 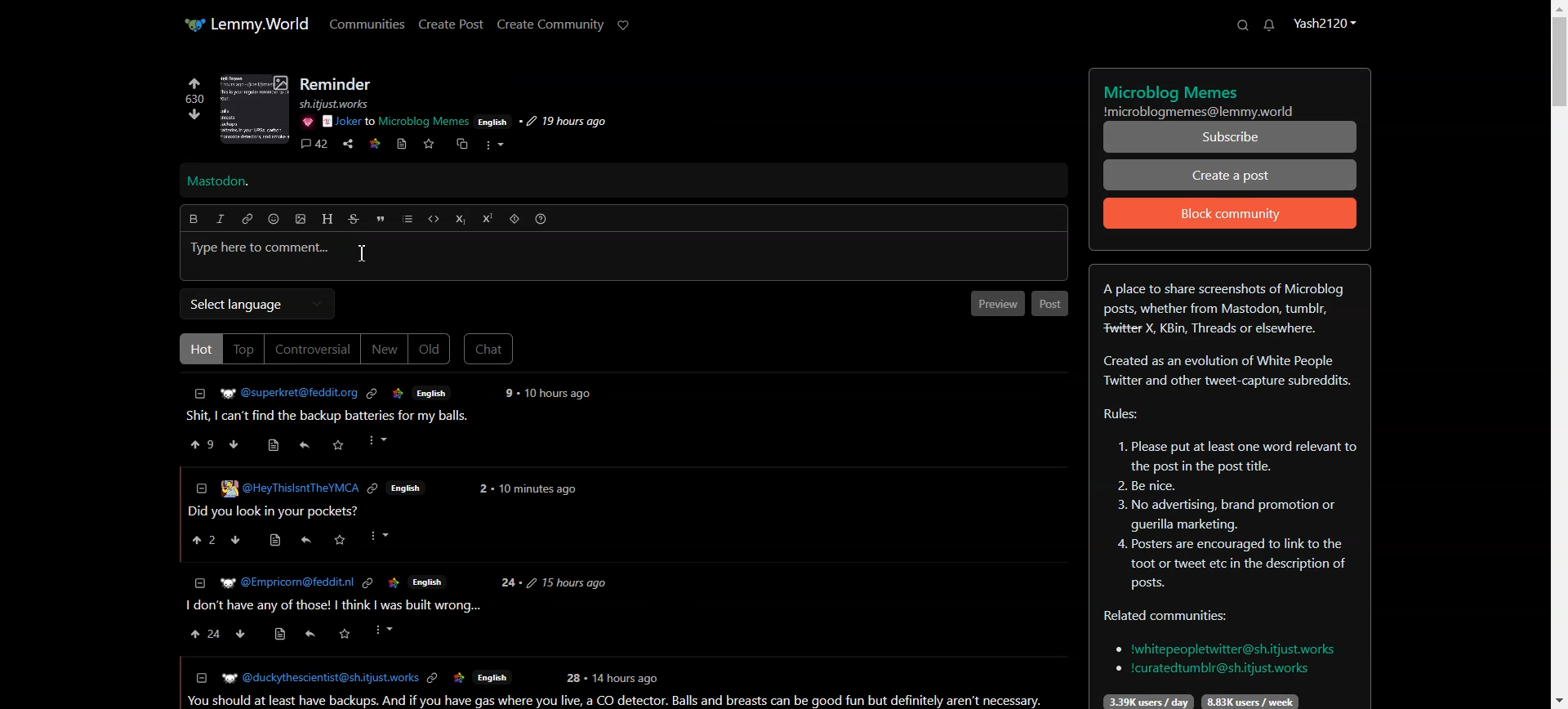 What do you see at coordinates (234, 444) in the screenshot?
I see `Down Vote` at bounding box center [234, 444].